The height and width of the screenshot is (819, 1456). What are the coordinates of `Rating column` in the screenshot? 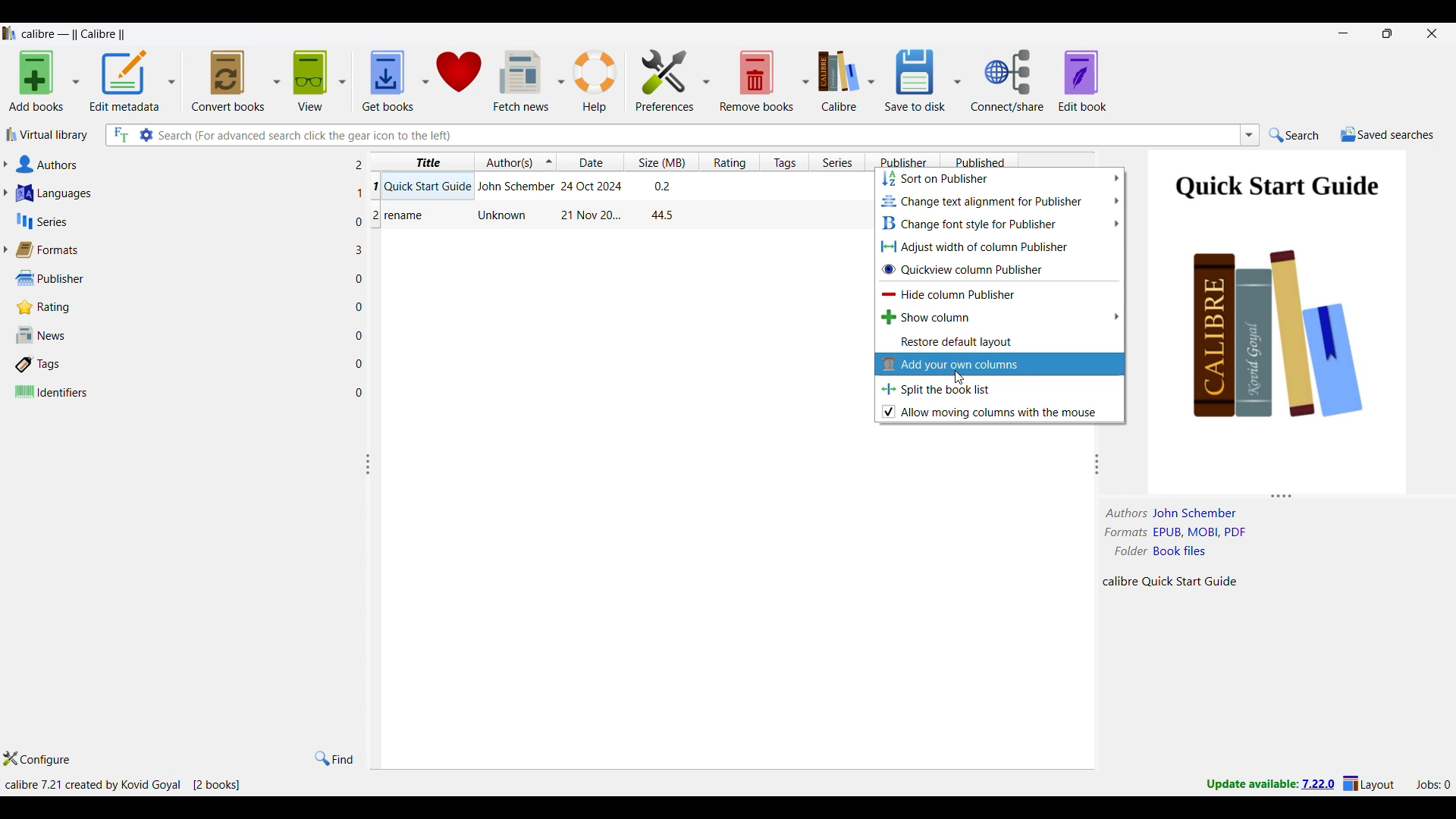 It's located at (729, 162).